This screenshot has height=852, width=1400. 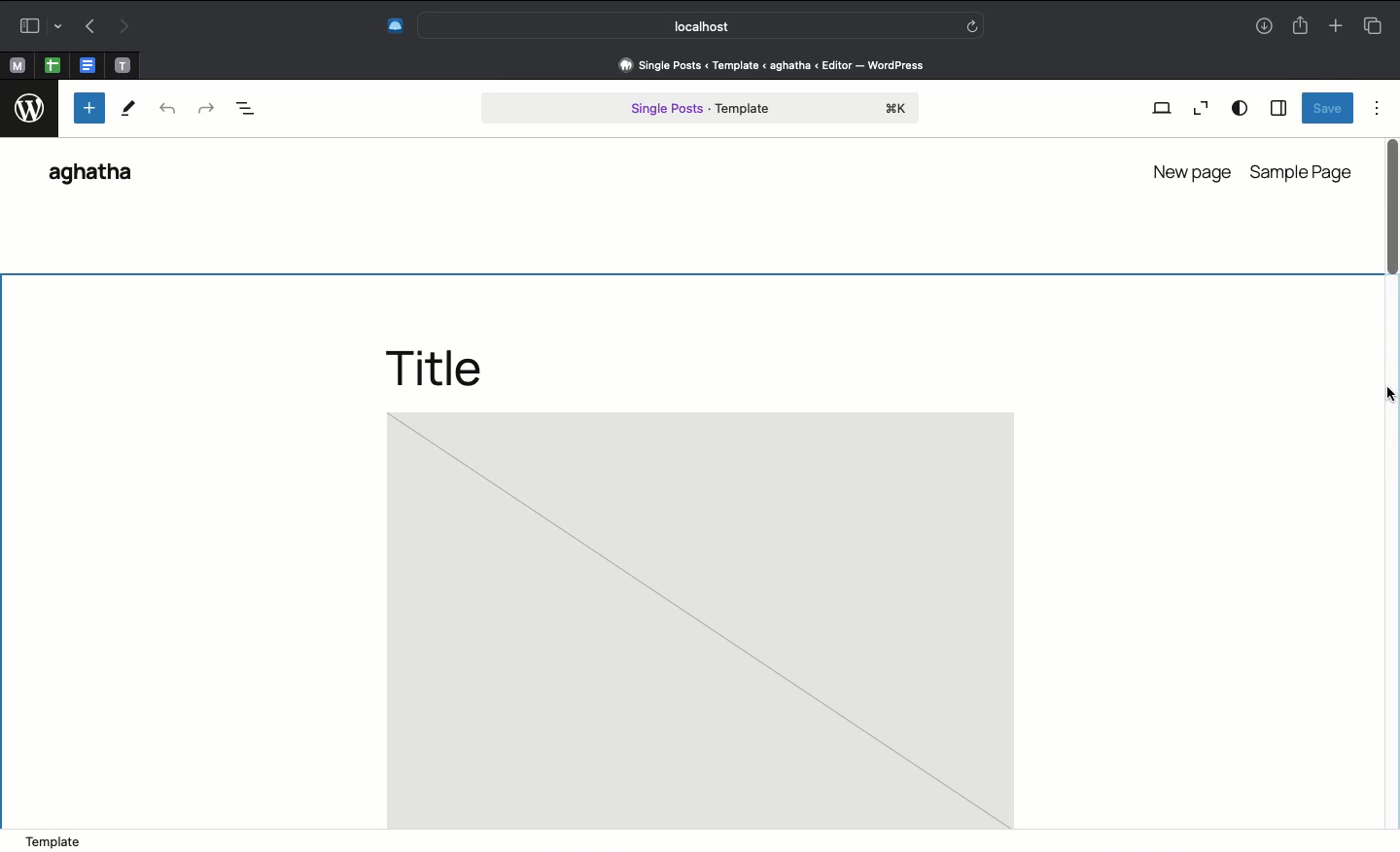 What do you see at coordinates (1261, 27) in the screenshot?
I see `Download` at bounding box center [1261, 27].